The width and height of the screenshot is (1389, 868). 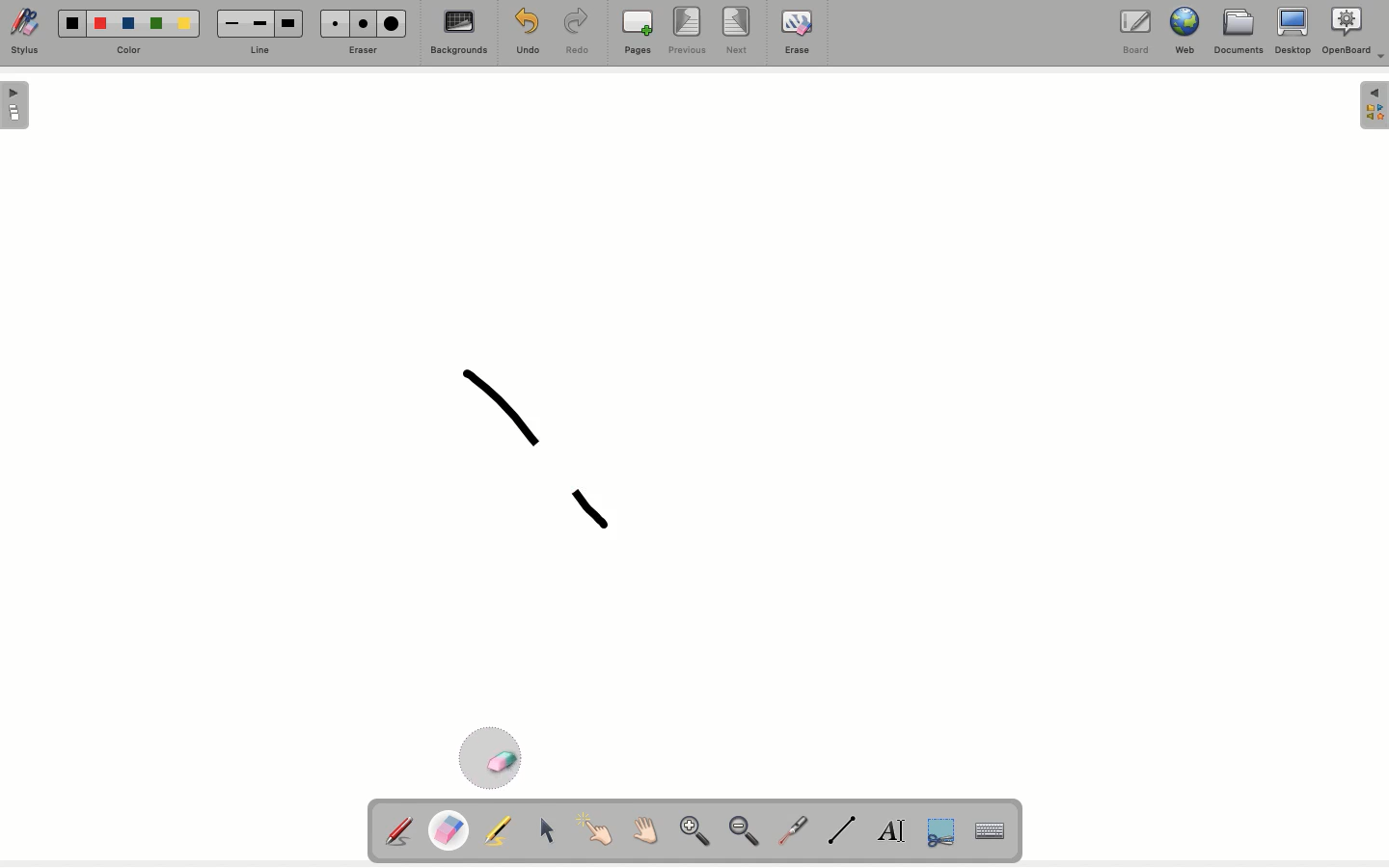 I want to click on Part of shape drawn erased, so click(x=555, y=467).